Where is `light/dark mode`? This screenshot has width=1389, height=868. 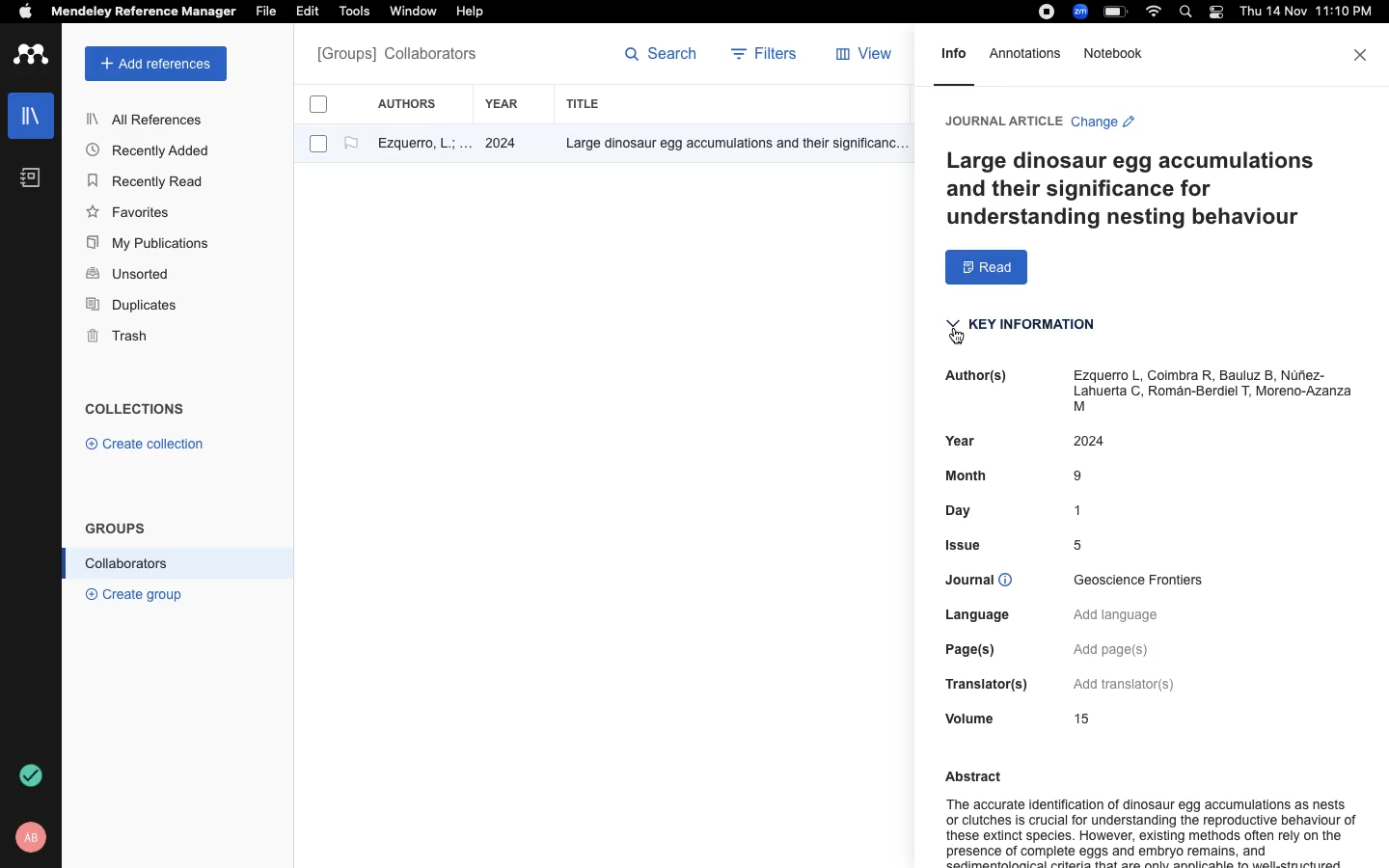 light/dark mode is located at coordinates (1215, 12).